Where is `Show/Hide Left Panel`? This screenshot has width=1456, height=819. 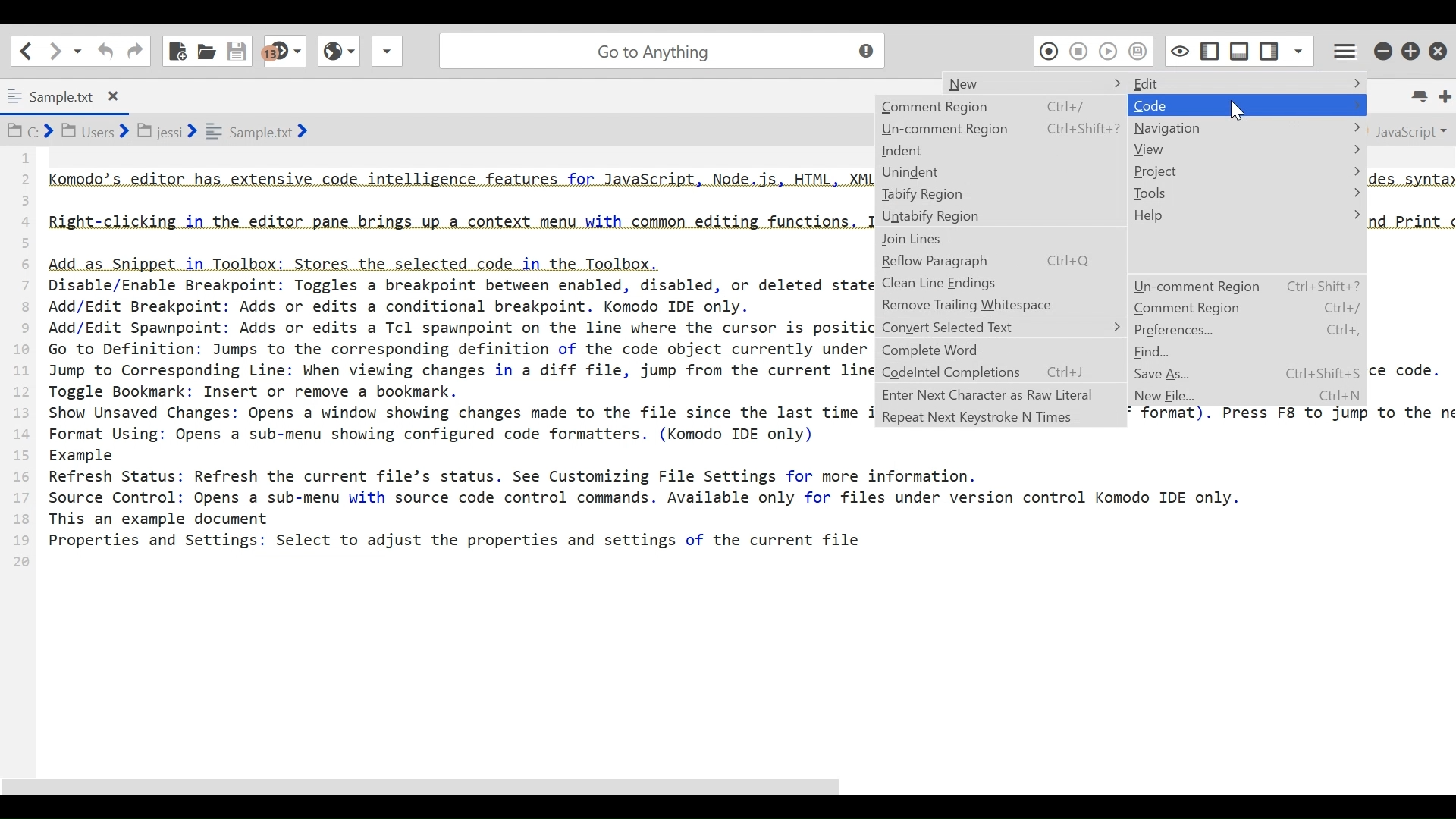
Show/Hide Left Panel is located at coordinates (1270, 48).